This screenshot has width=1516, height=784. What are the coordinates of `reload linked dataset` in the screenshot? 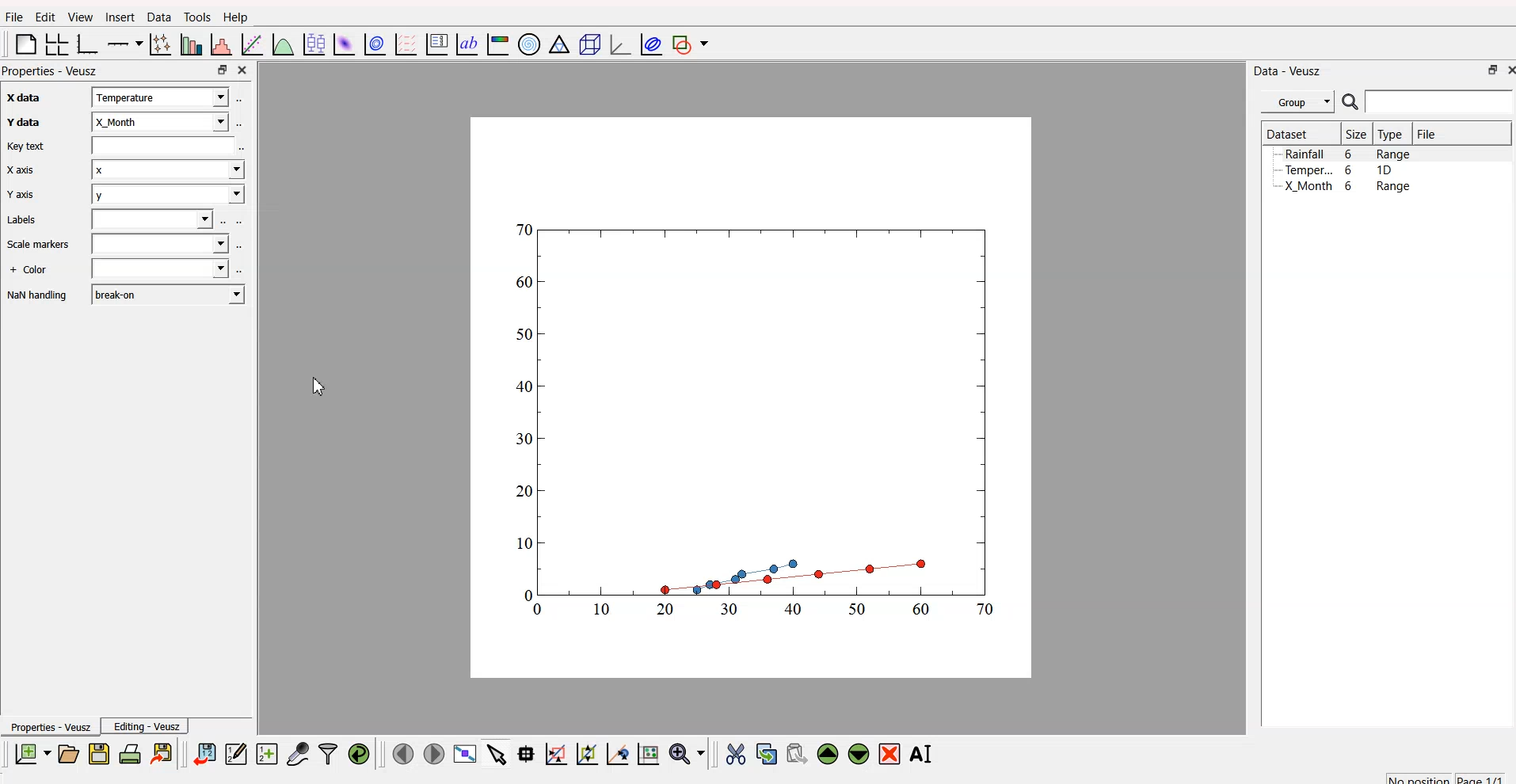 It's located at (358, 752).